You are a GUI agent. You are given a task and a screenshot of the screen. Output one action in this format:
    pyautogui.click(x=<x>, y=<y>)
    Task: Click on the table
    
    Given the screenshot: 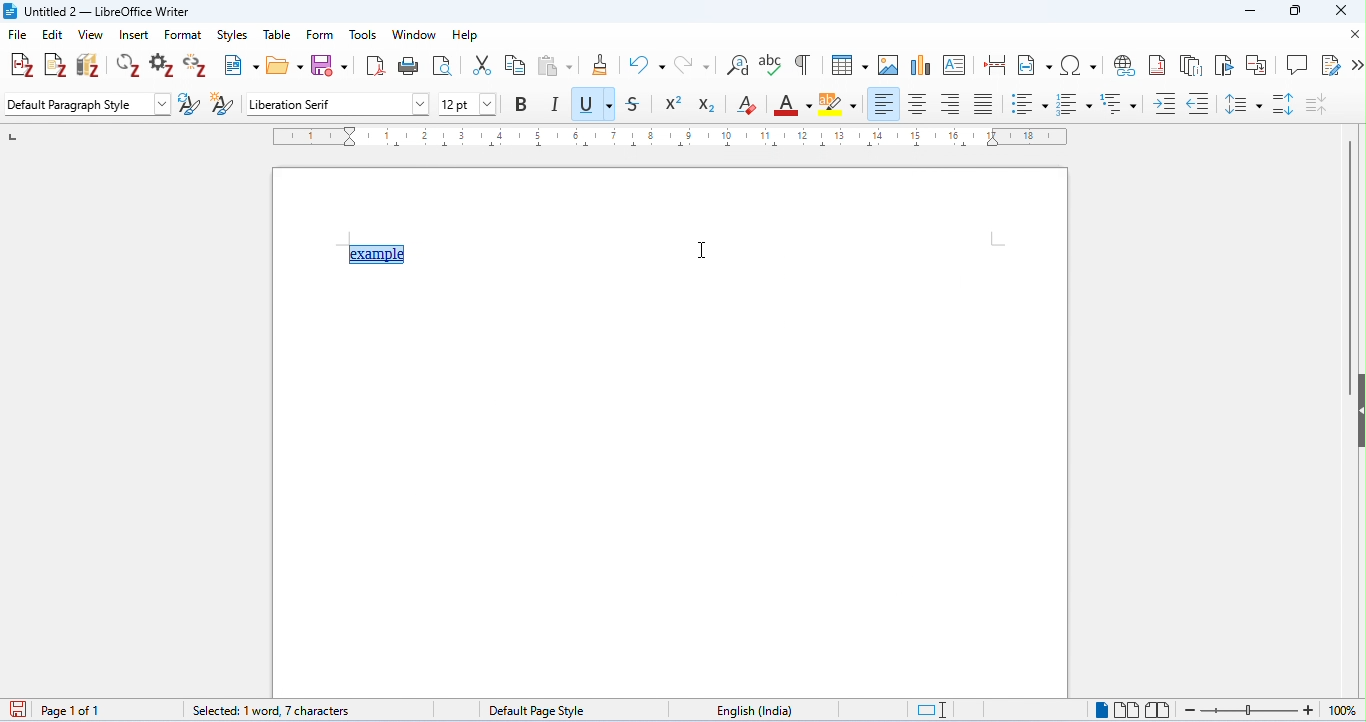 What is the action you would take?
    pyautogui.click(x=275, y=33)
    